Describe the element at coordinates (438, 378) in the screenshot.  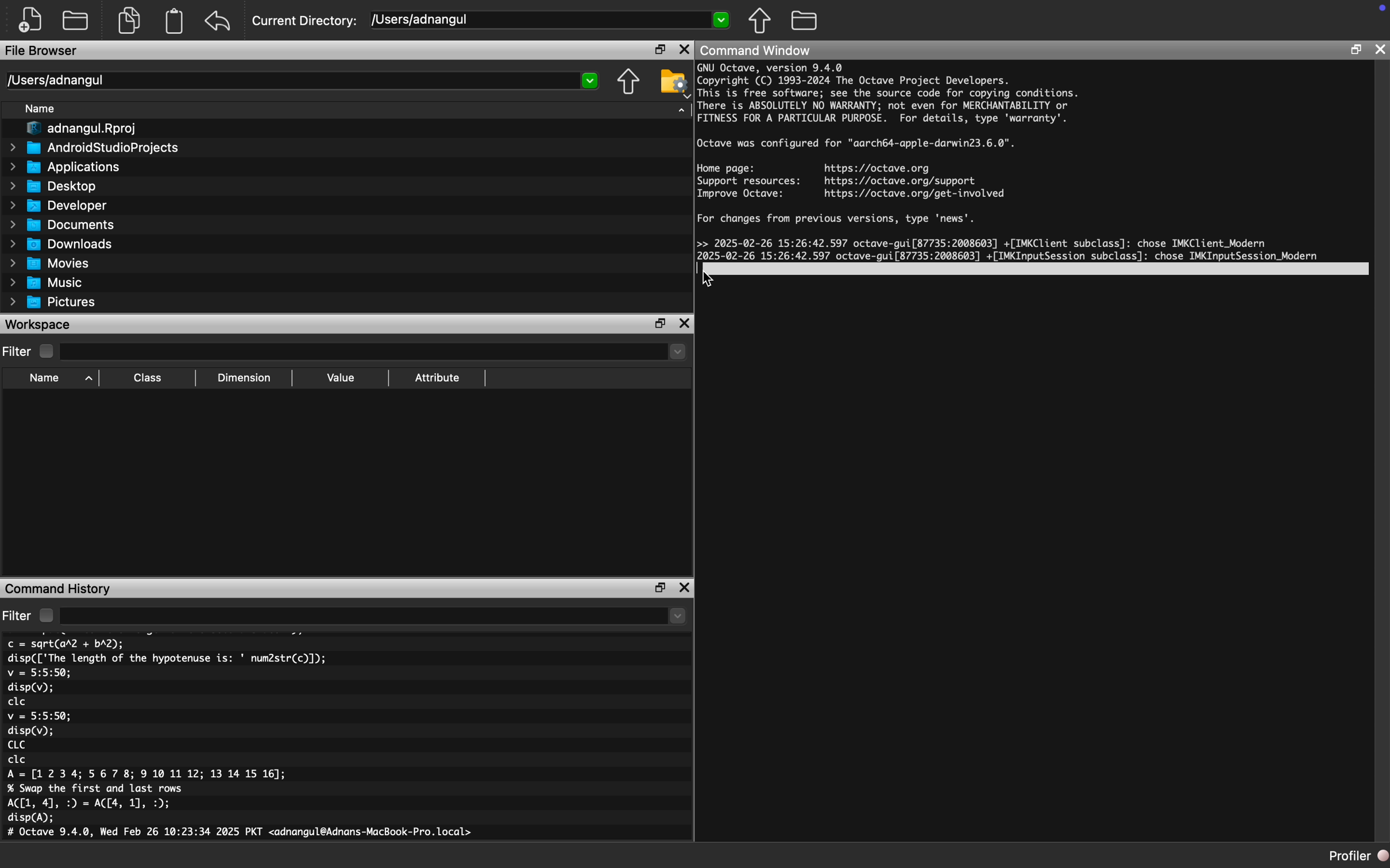
I see `Attribute` at that location.